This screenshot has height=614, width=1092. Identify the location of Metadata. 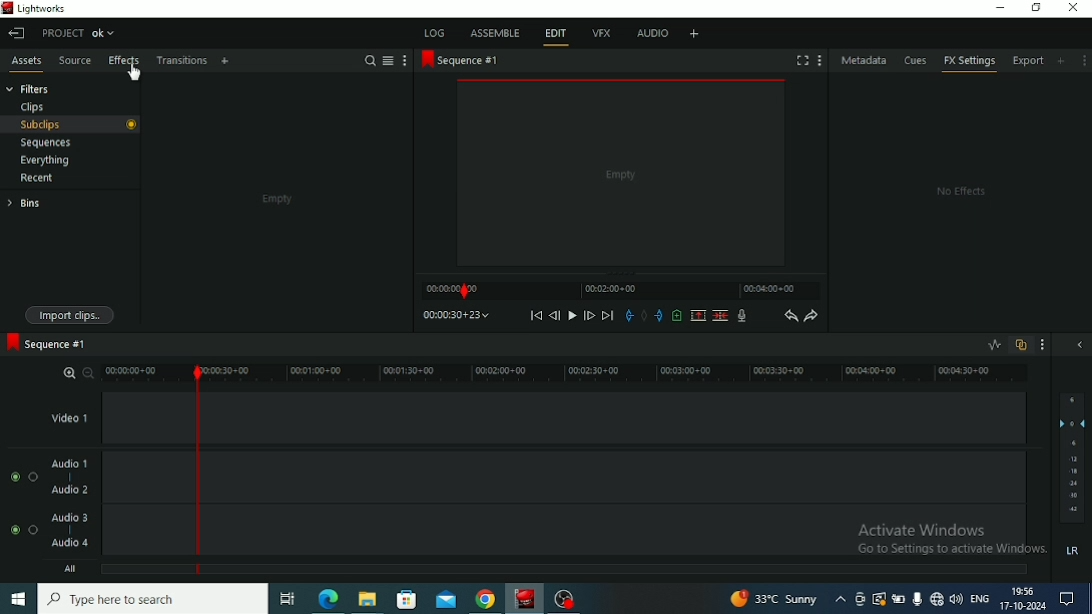
(865, 60).